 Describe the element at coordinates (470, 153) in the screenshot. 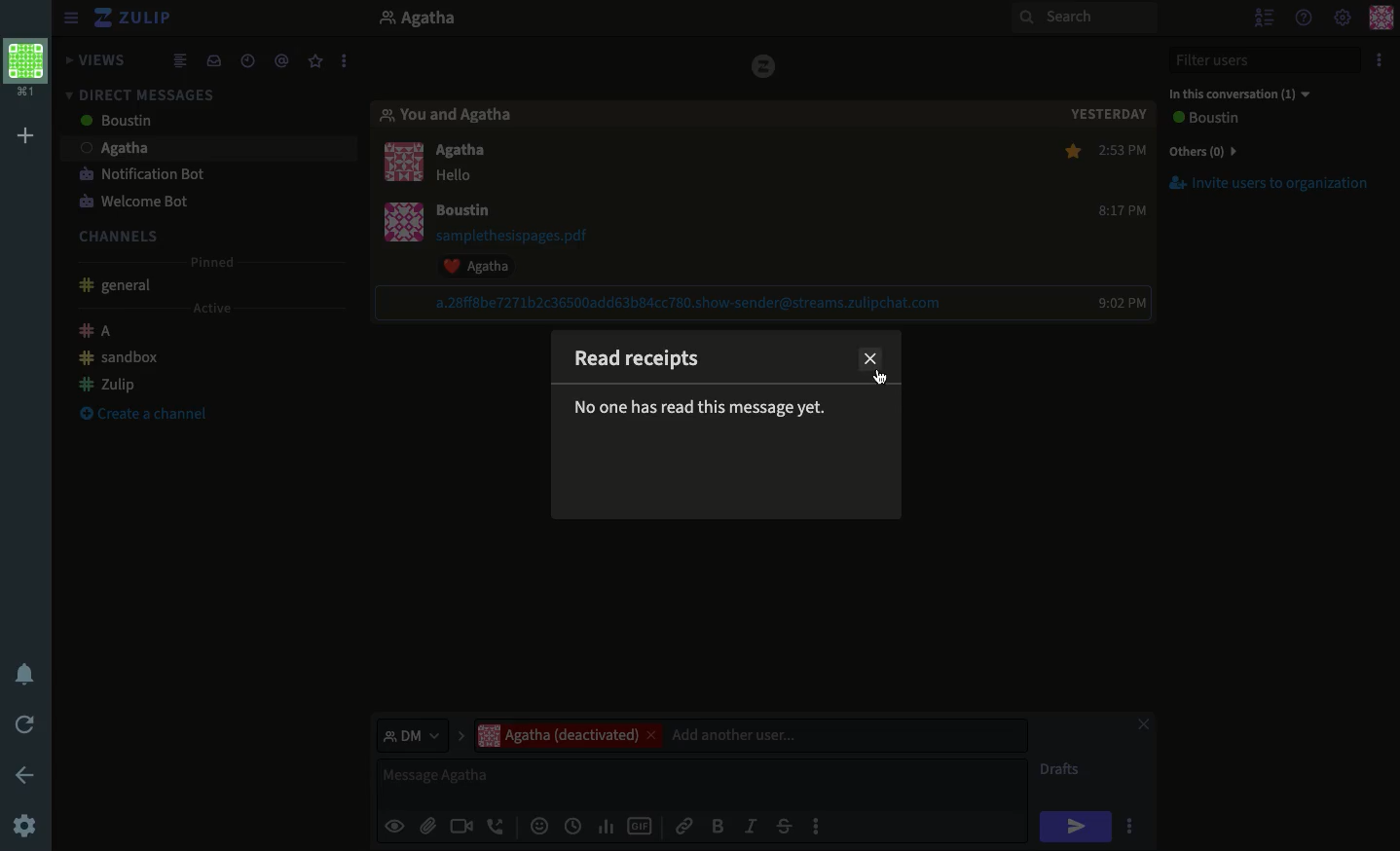

I see `Users` at that location.